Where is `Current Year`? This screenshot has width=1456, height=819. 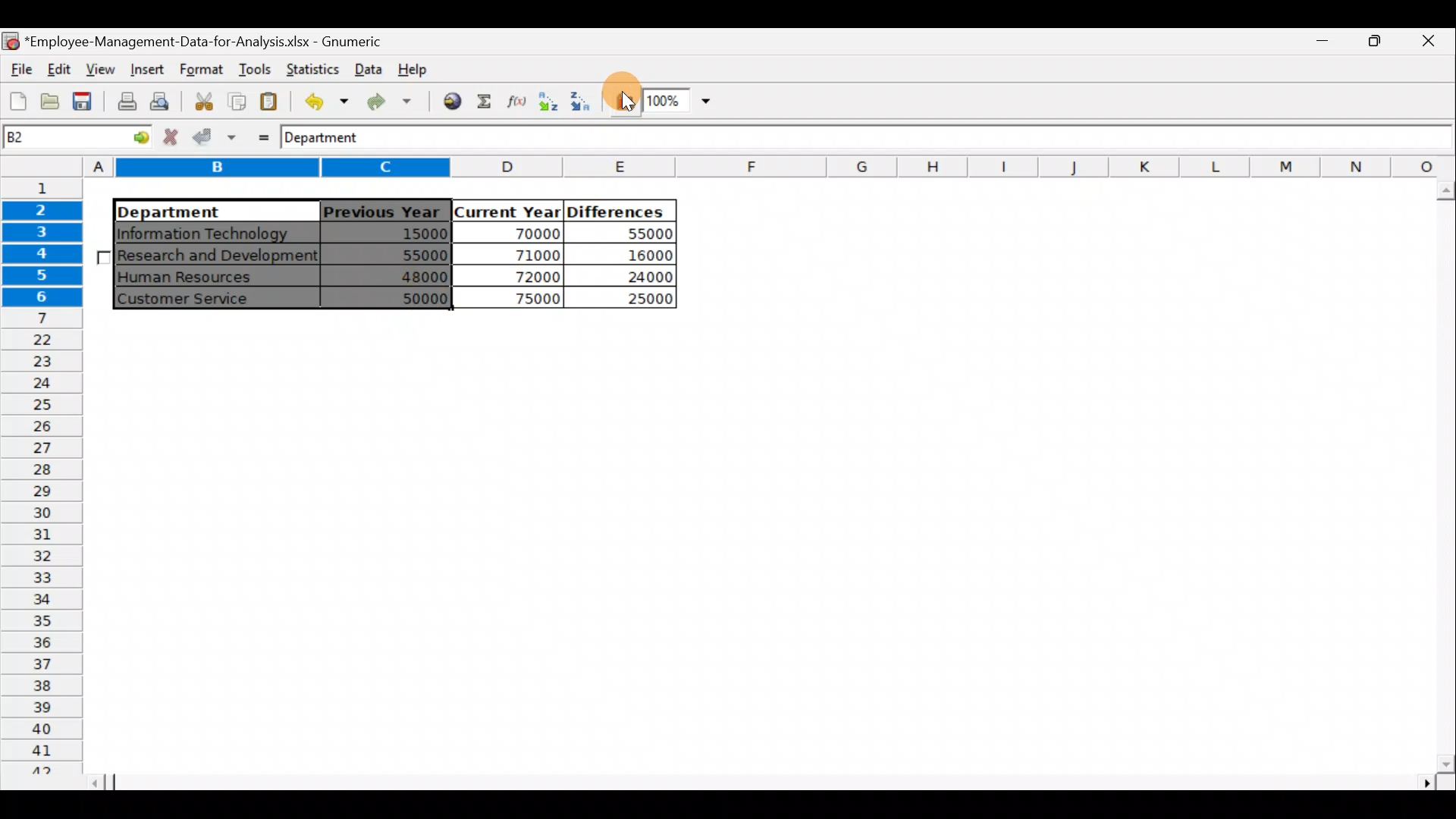
Current Year is located at coordinates (506, 210).